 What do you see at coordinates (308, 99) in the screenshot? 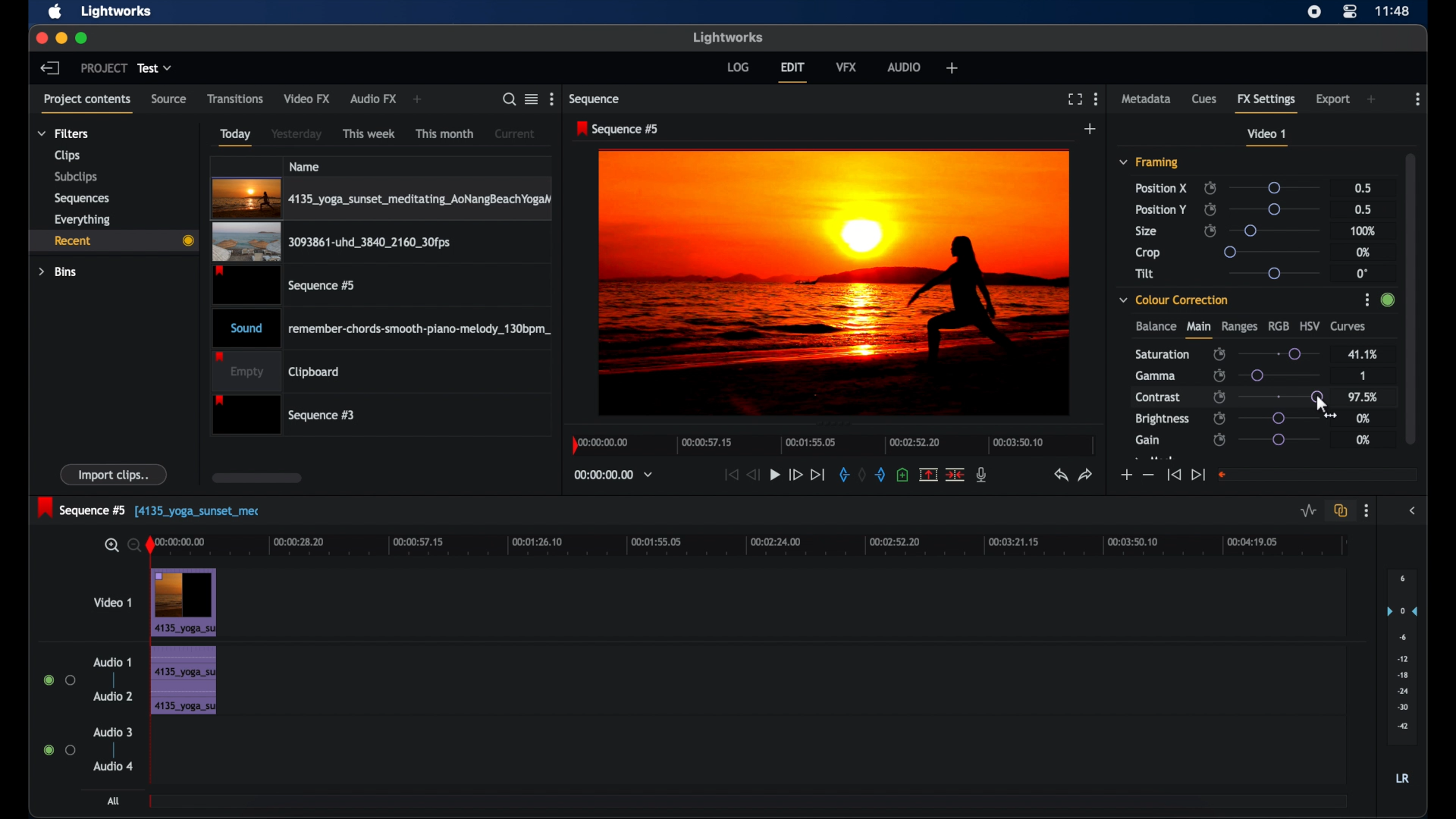
I see `video fx` at bounding box center [308, 99].